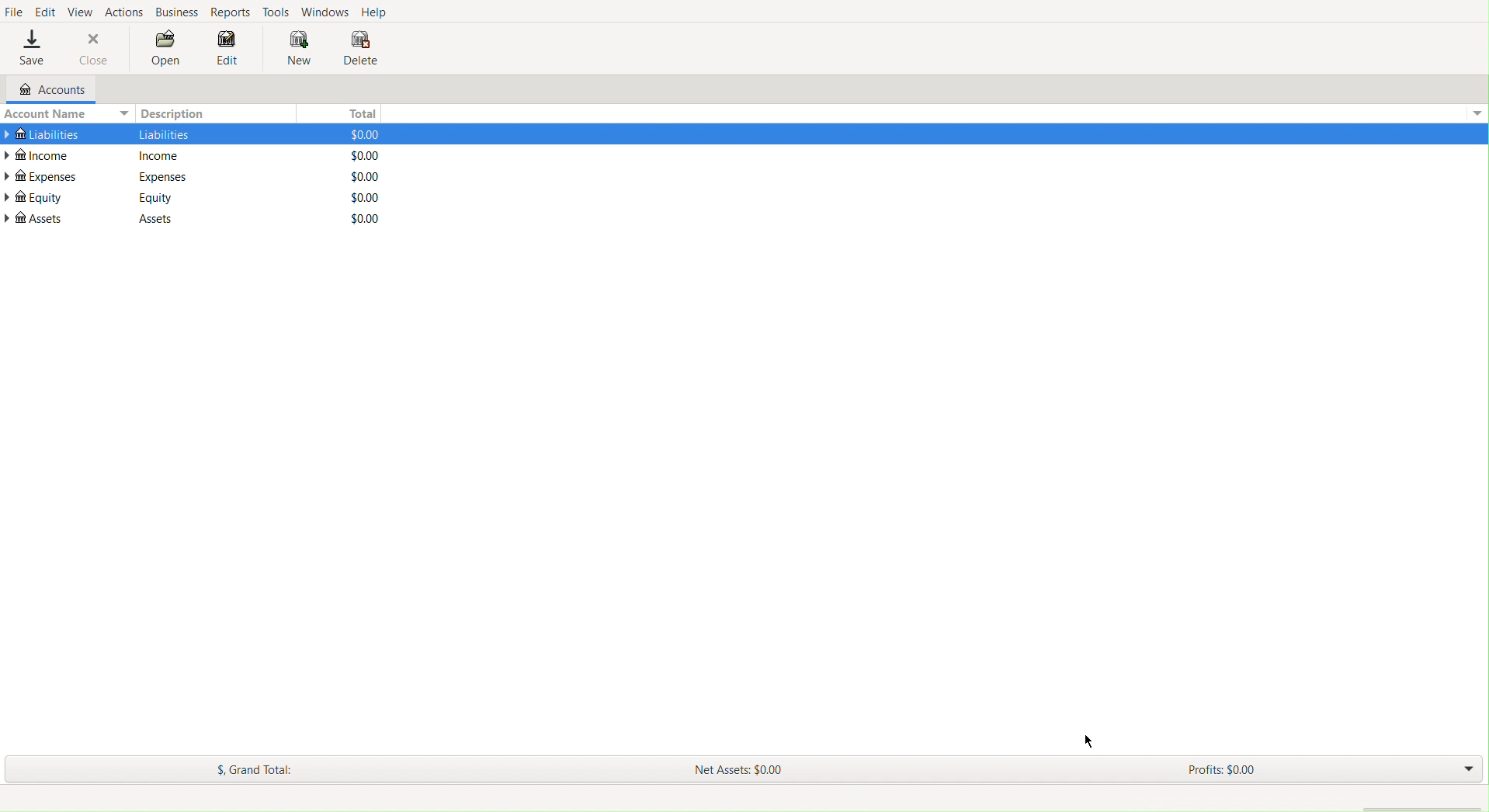 The image size is (1489, 812). What do you see at coordinates (359, 111) in the screenshot?
I see `Total` at bounding box center [359, 111].